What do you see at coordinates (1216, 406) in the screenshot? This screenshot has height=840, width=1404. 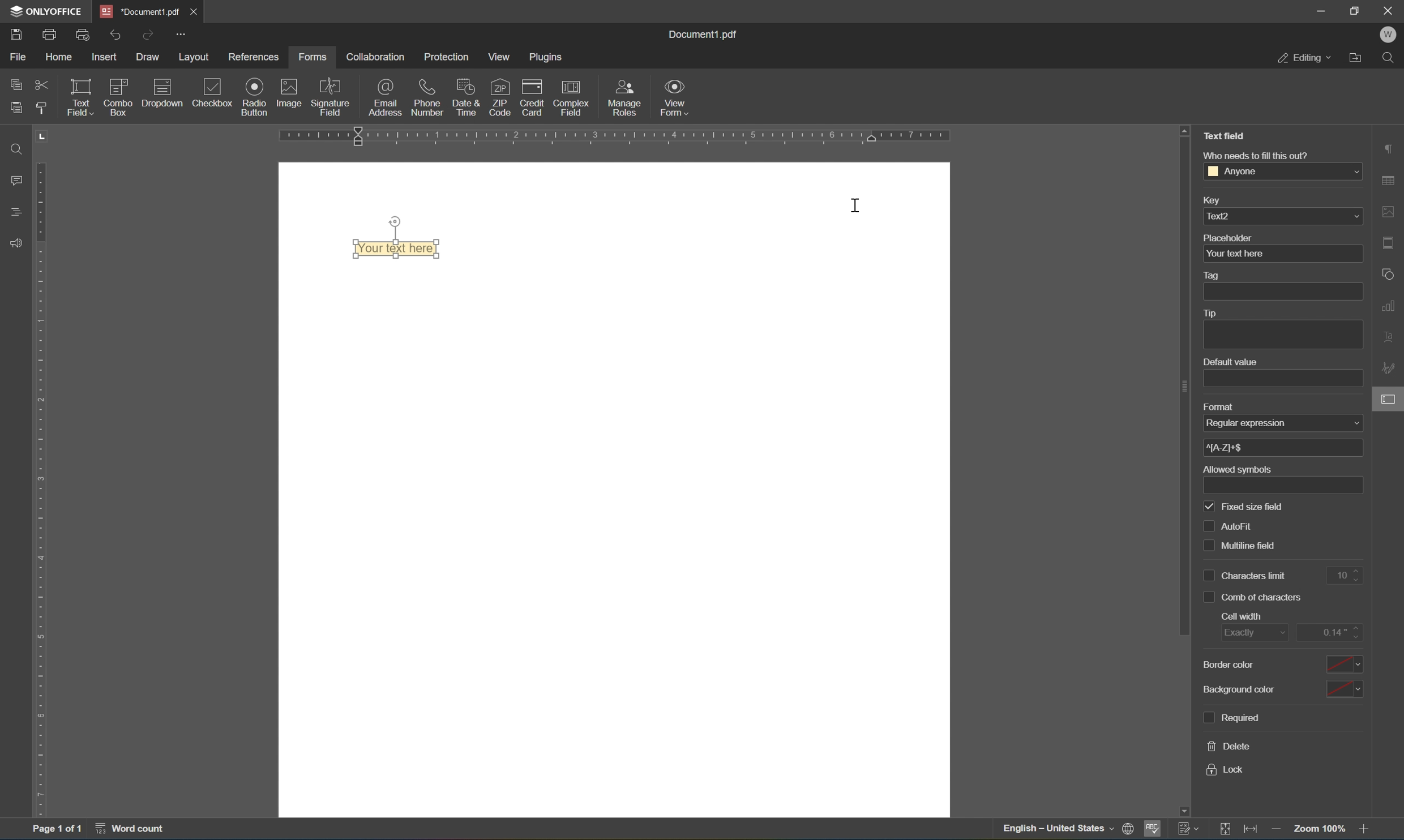 I see `format` at bounding box center [1216, 406].